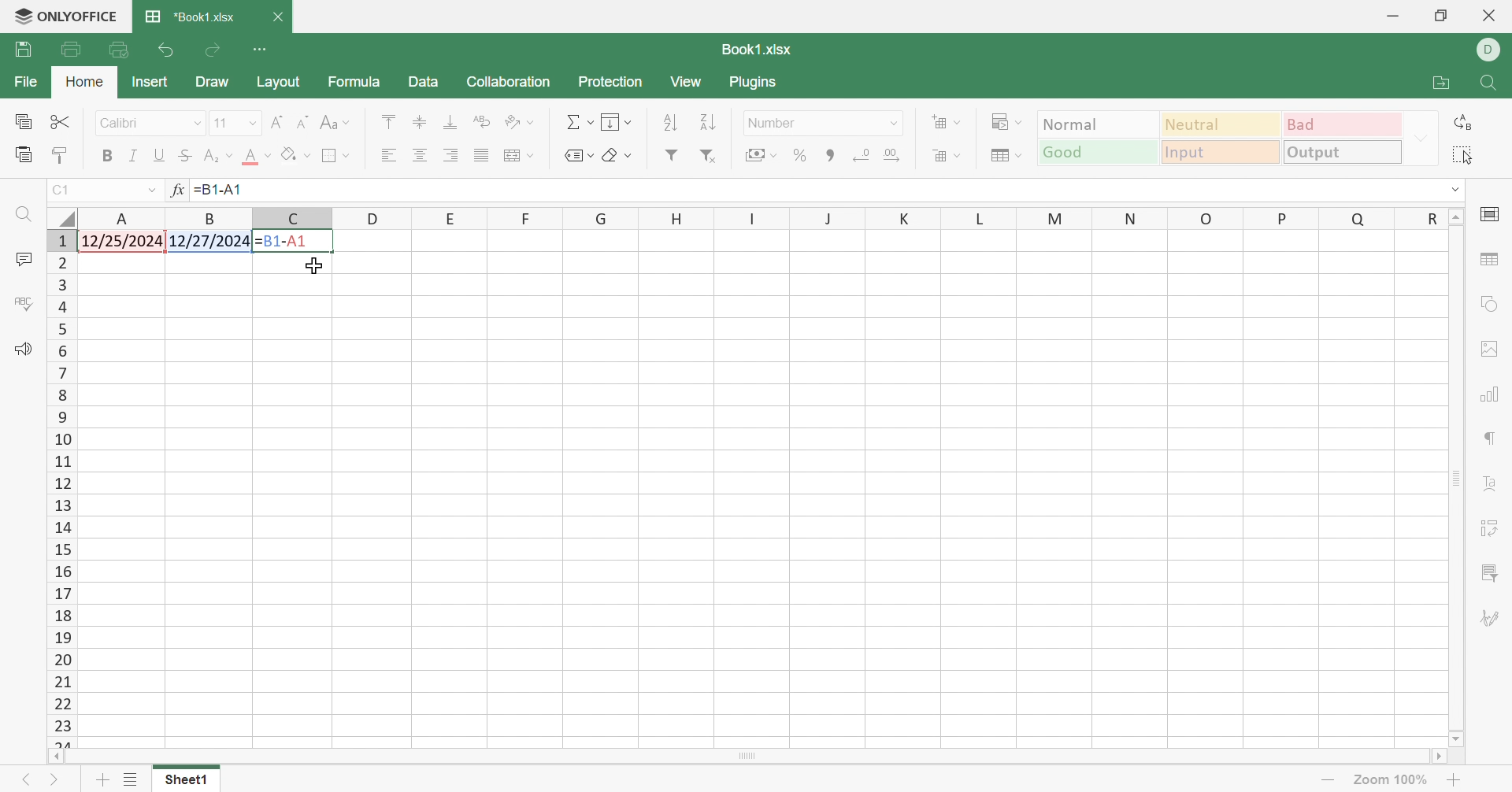  I want to click on 12/25/2024, so click(124, 242).